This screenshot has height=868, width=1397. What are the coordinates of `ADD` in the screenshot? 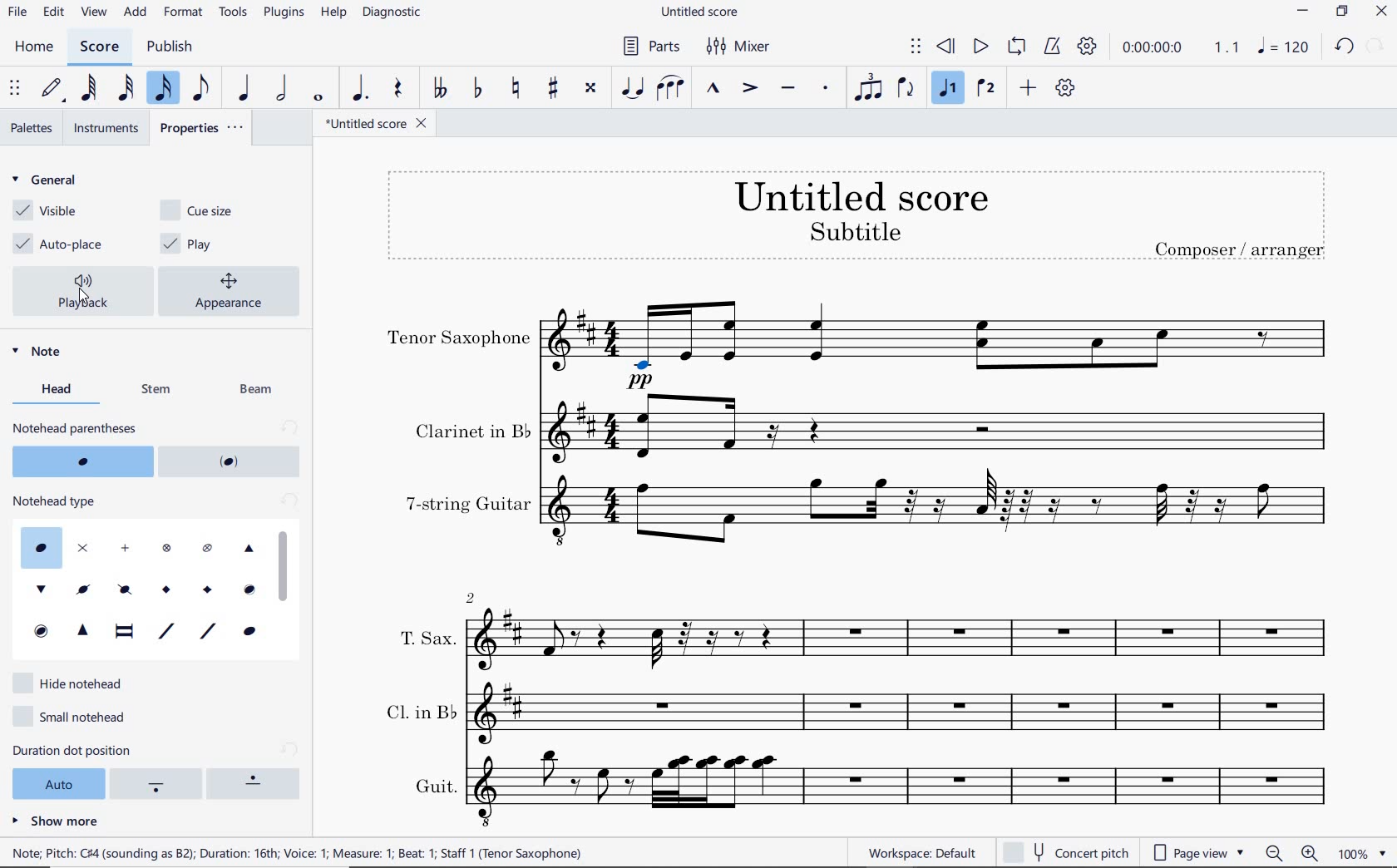 It's located at (1029, 86).